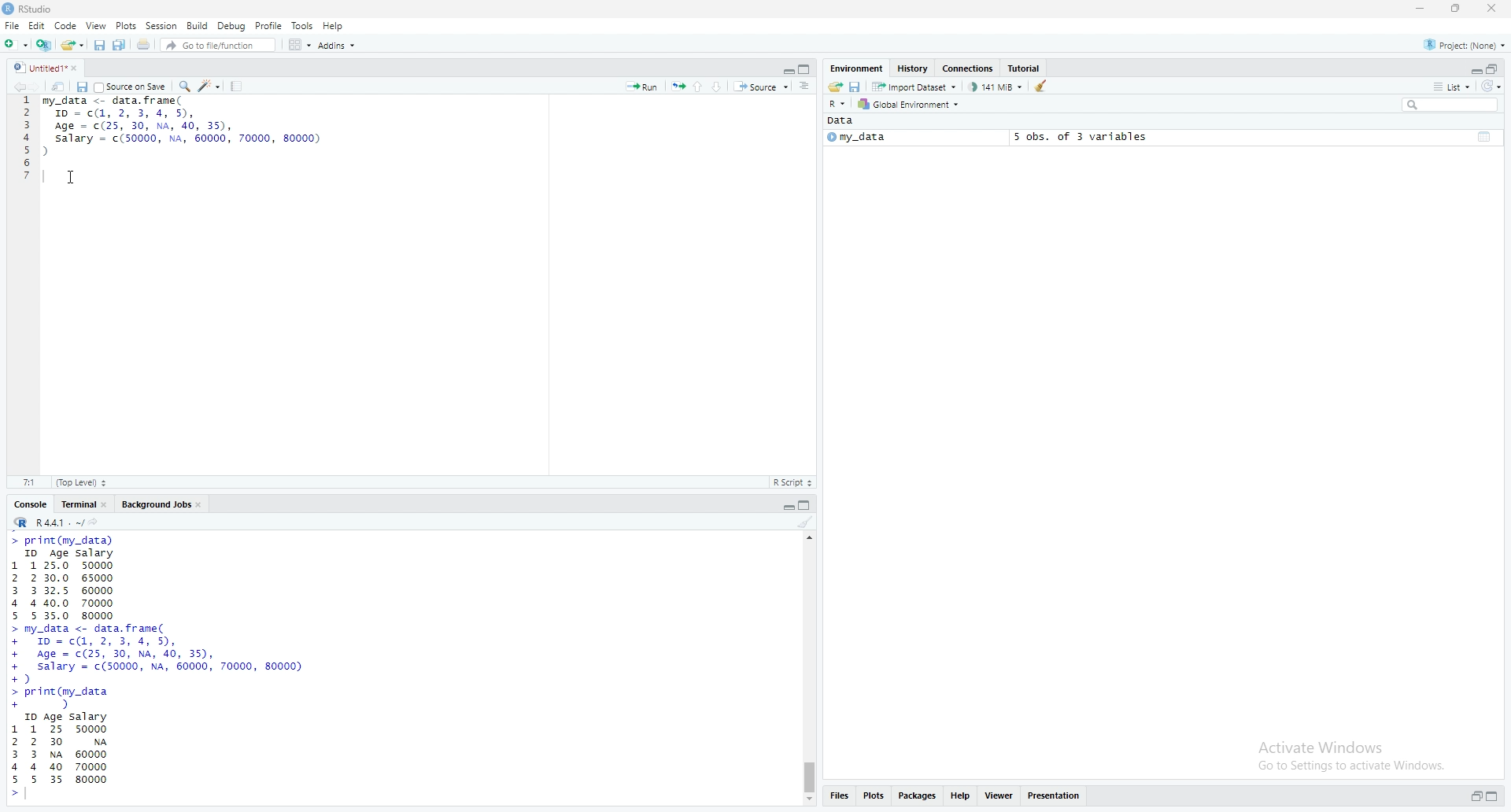 The image size is (1511, 812). I want to click on save workspace, so click(856, 88).